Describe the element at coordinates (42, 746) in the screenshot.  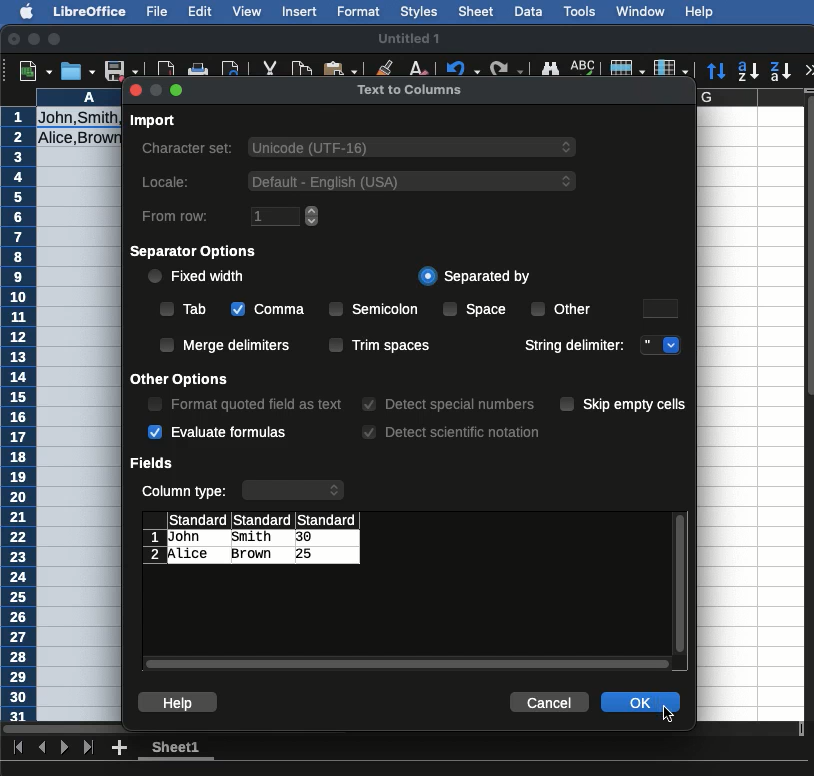
I see `Previous sheet` at that location.